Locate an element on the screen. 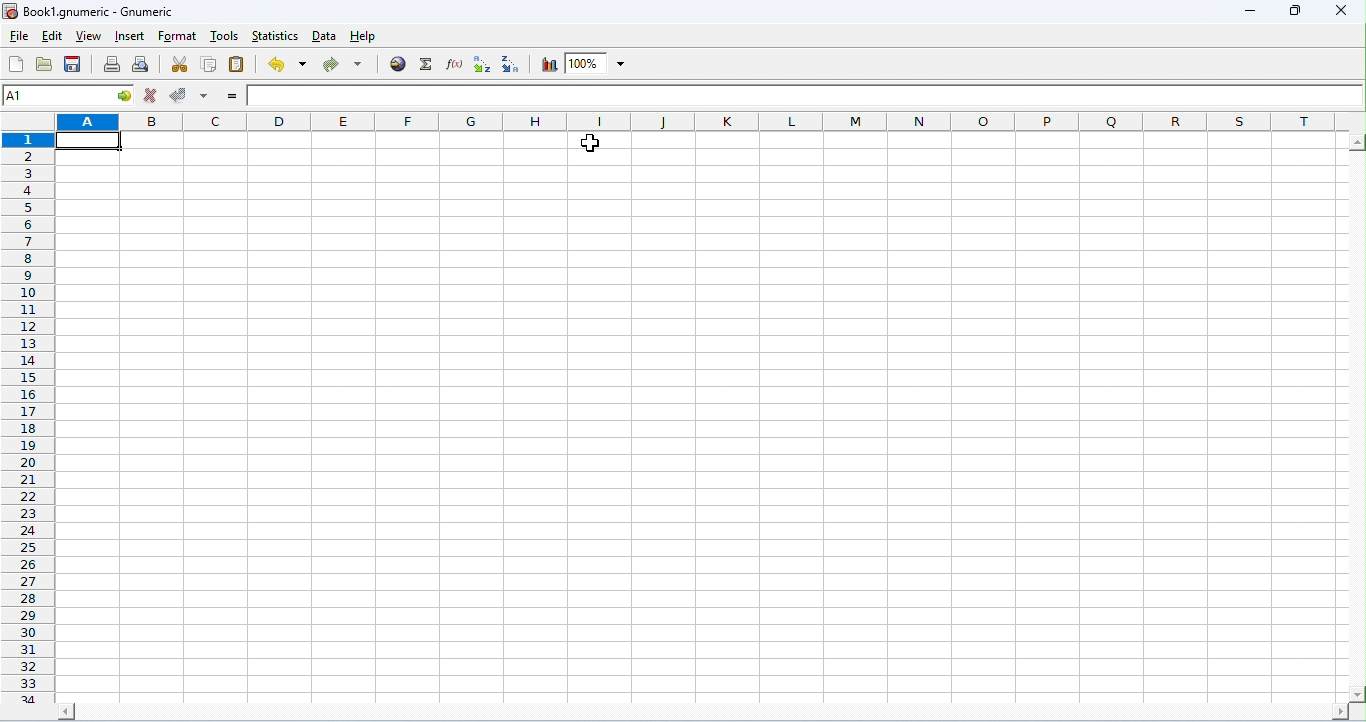 This screenshot has width=1366, height=722. paste is located at coordinates (238, 65).